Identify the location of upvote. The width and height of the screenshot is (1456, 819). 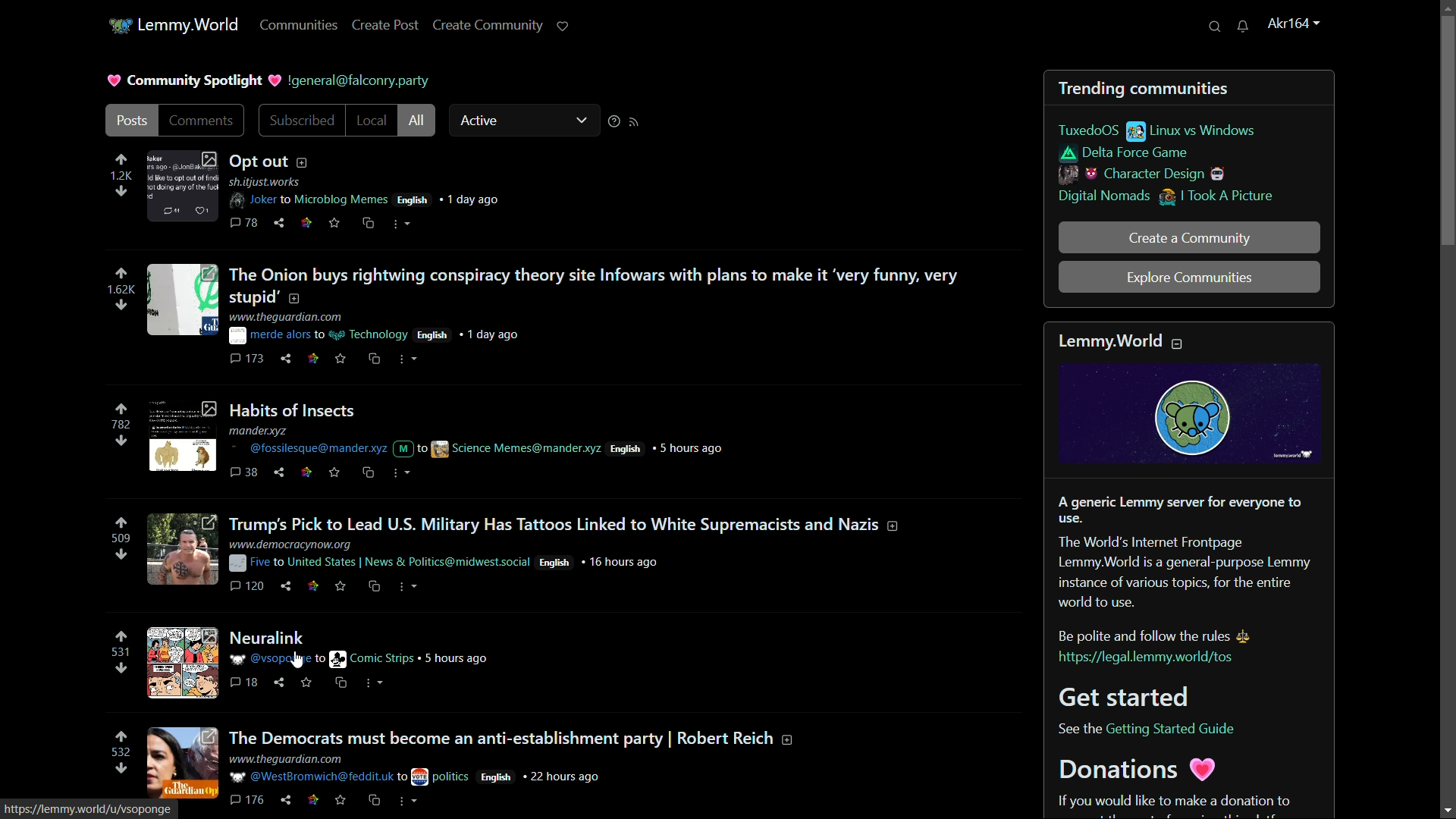
(121, 523).